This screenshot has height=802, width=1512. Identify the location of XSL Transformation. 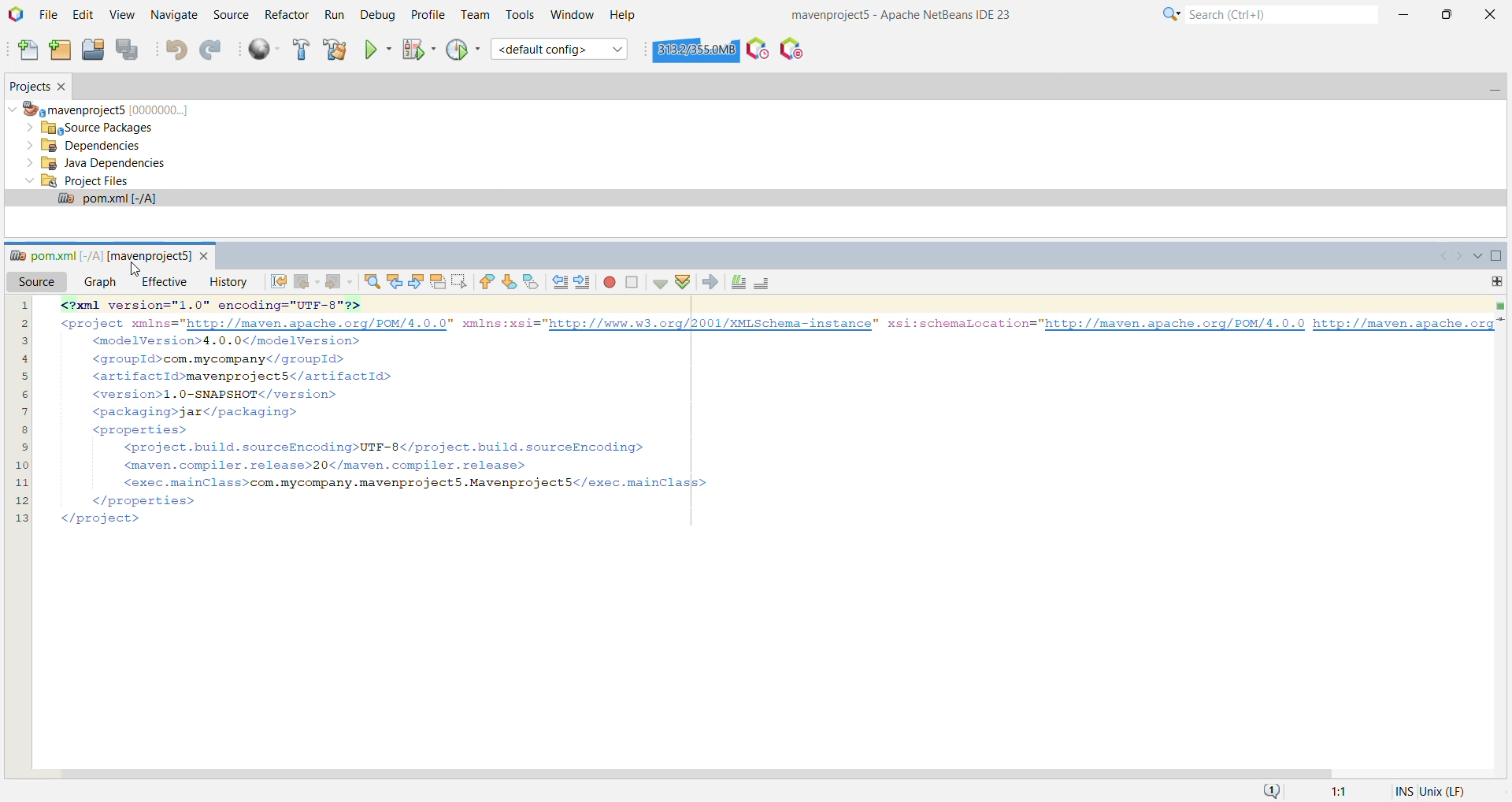
(709, 282).